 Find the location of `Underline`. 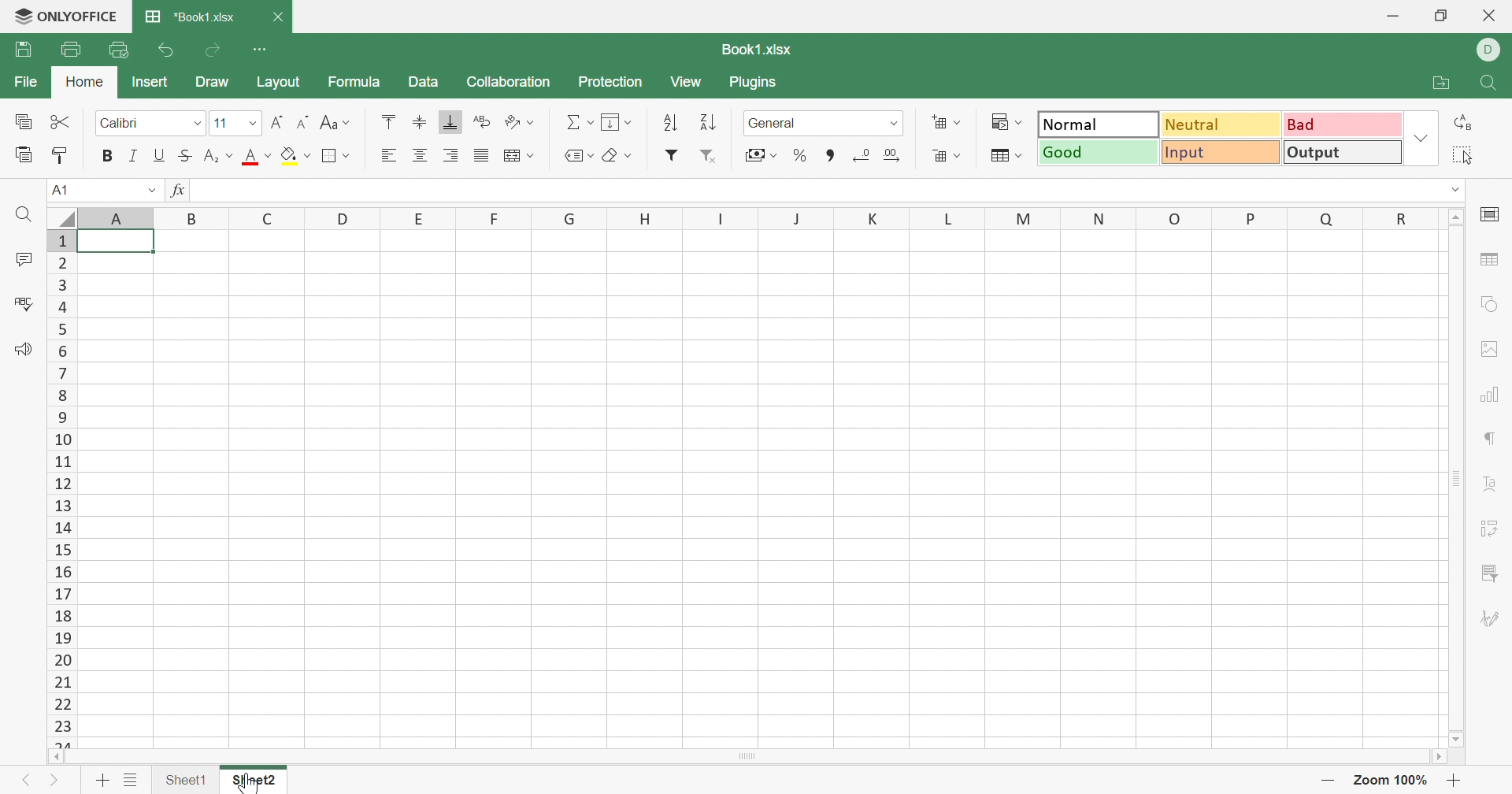

Underline is located at coordinates (160, 155).